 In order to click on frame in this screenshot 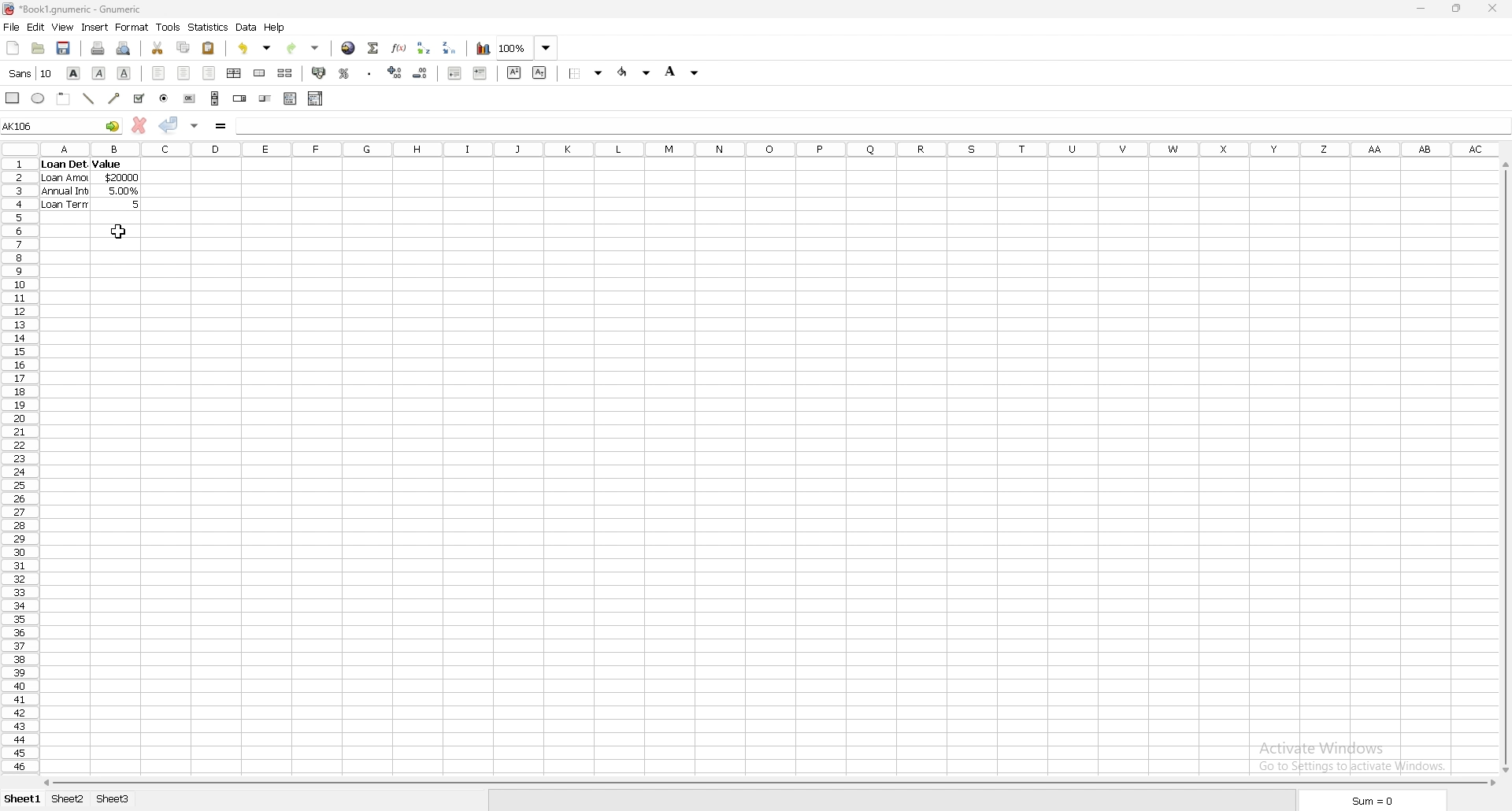, I will do `click(65, 98)`.